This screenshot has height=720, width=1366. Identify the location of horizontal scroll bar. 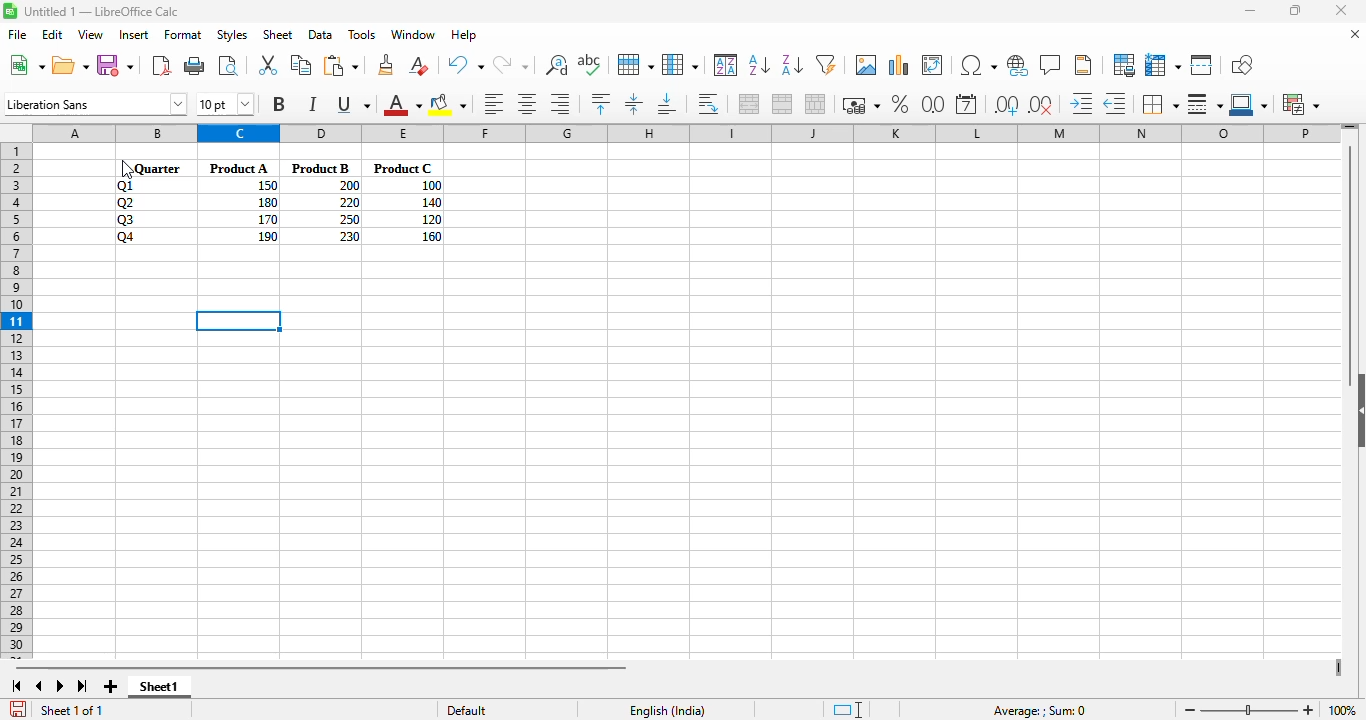
(320, 667).